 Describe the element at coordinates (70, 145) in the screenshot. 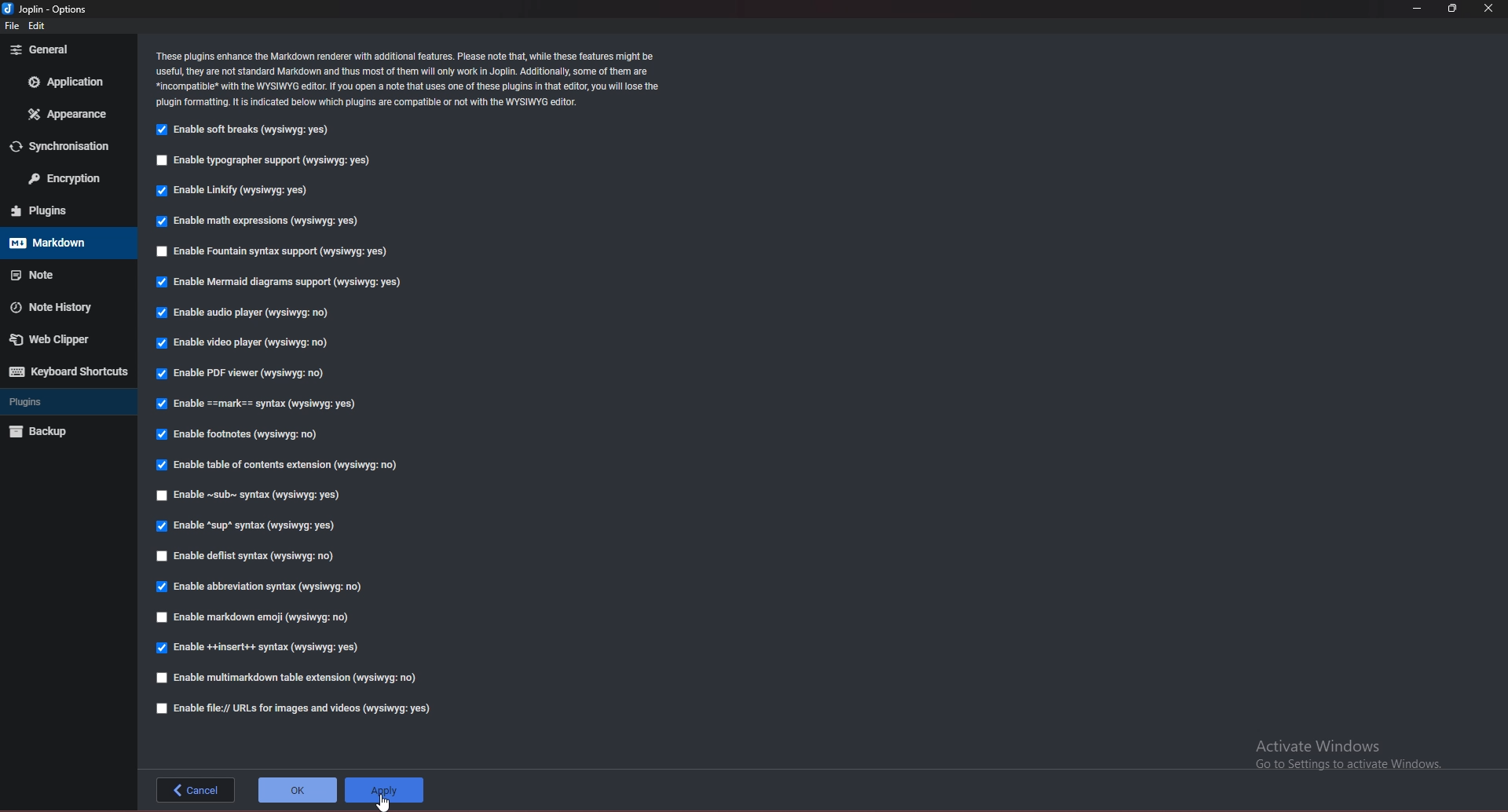

I see `sync` at that location.